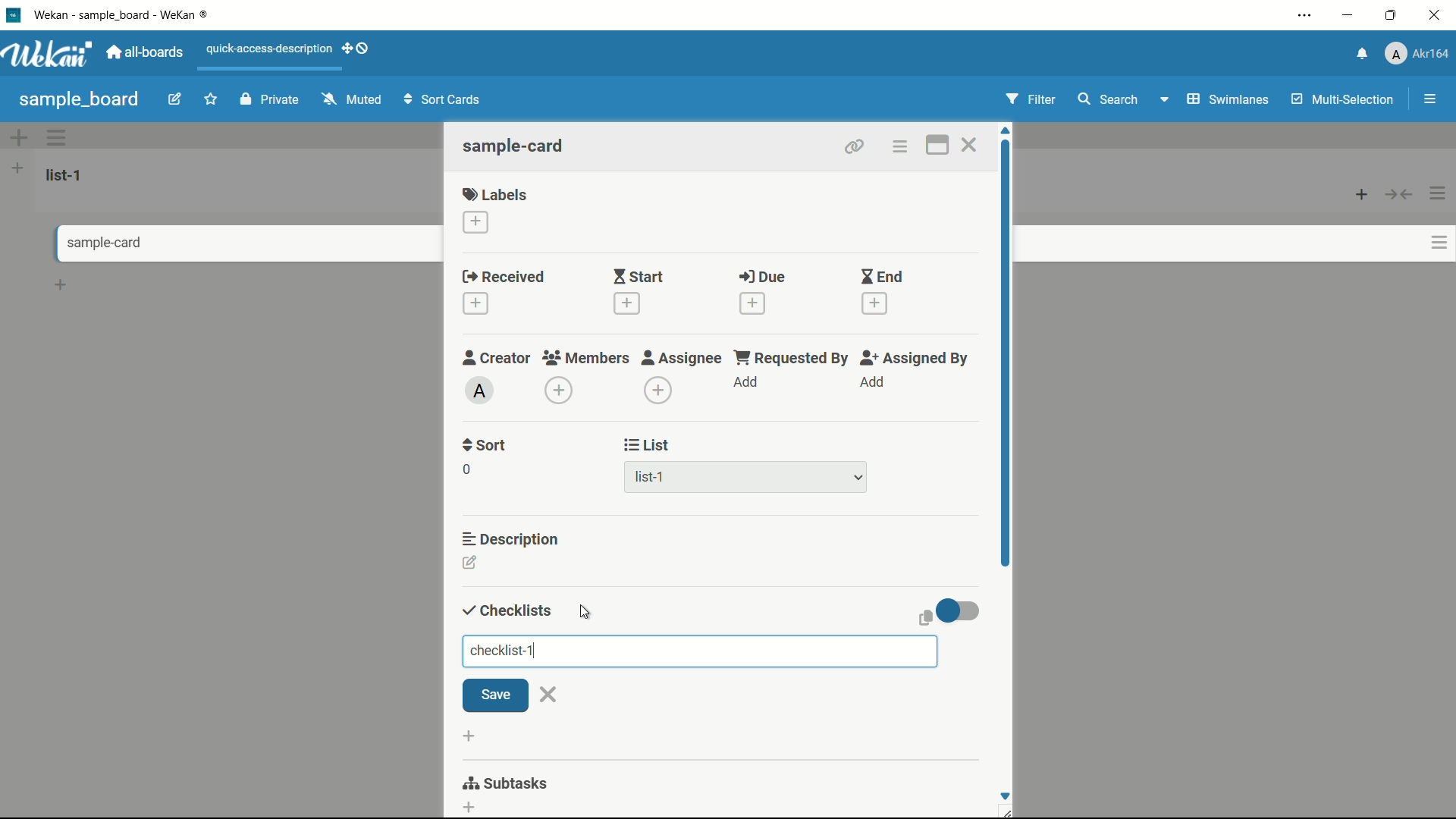  Describe the element at coordinates (762, 278) in the screenshot. I see `due` at that location.